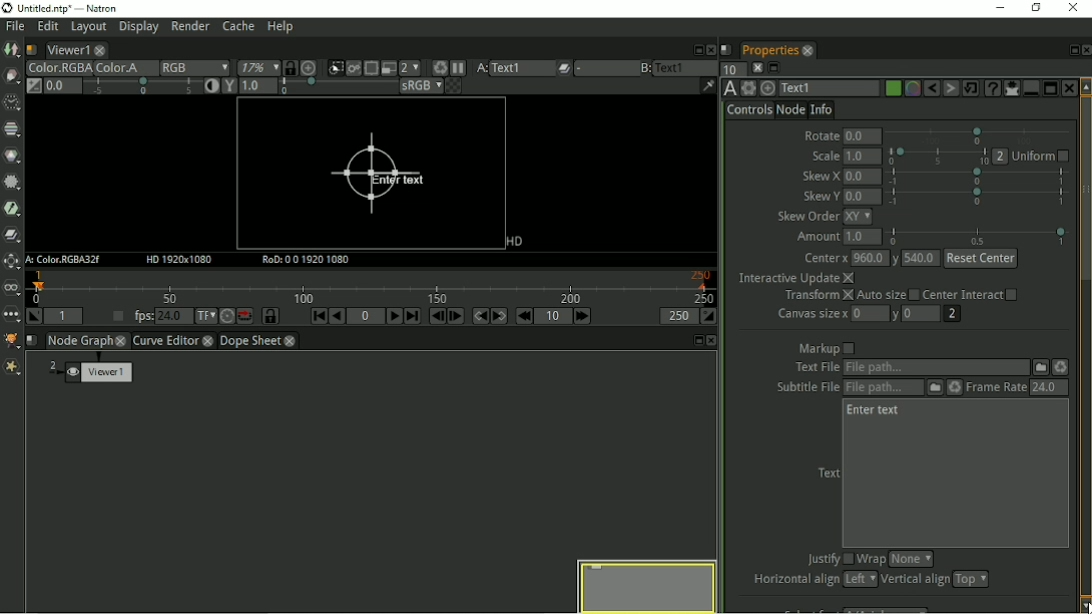 This screenshot has height=614, width=1092. I want to click on Close, so click(1068, 88).